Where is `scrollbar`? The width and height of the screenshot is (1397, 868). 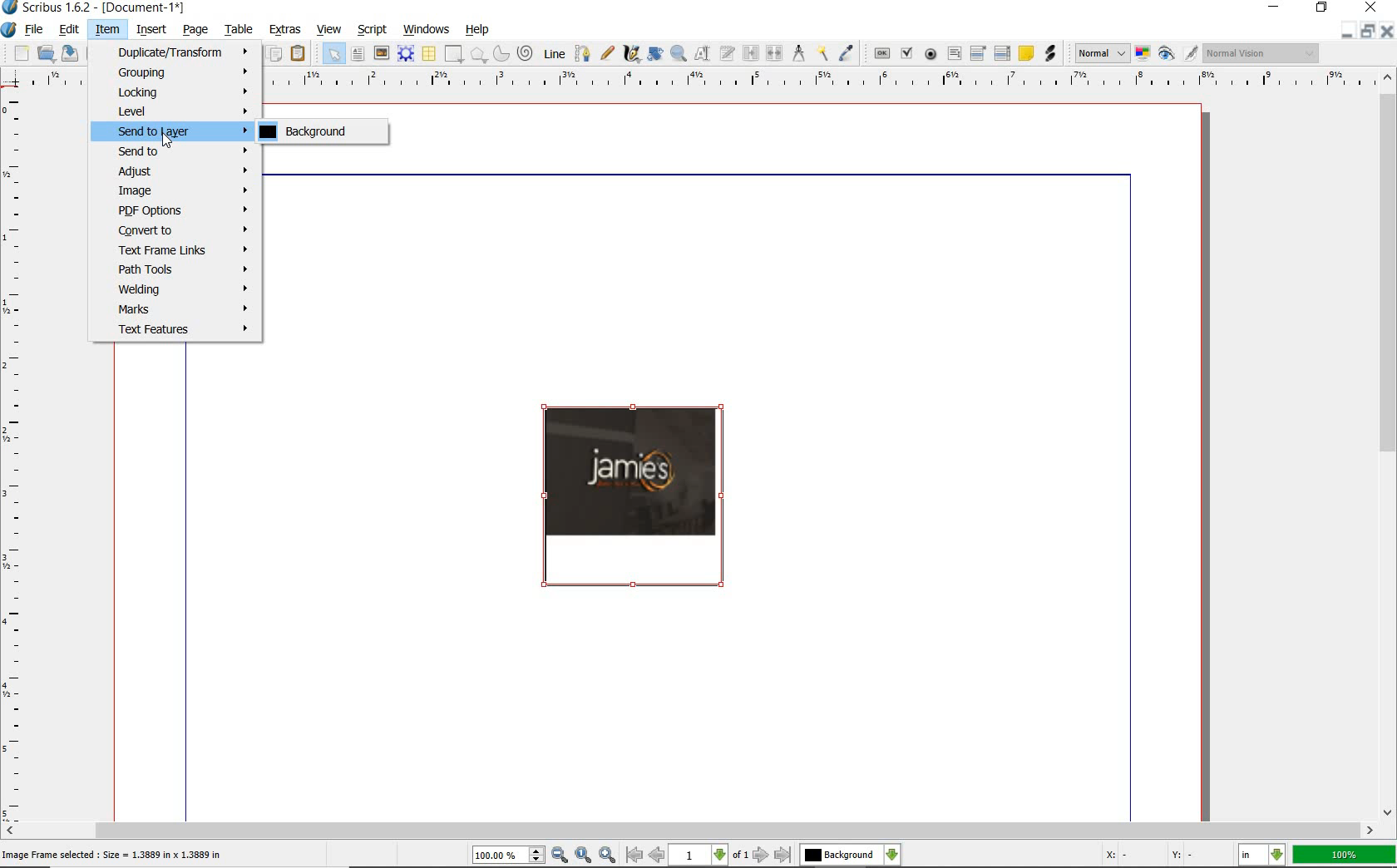
scrollbar is located at coordinates (1389, 445).